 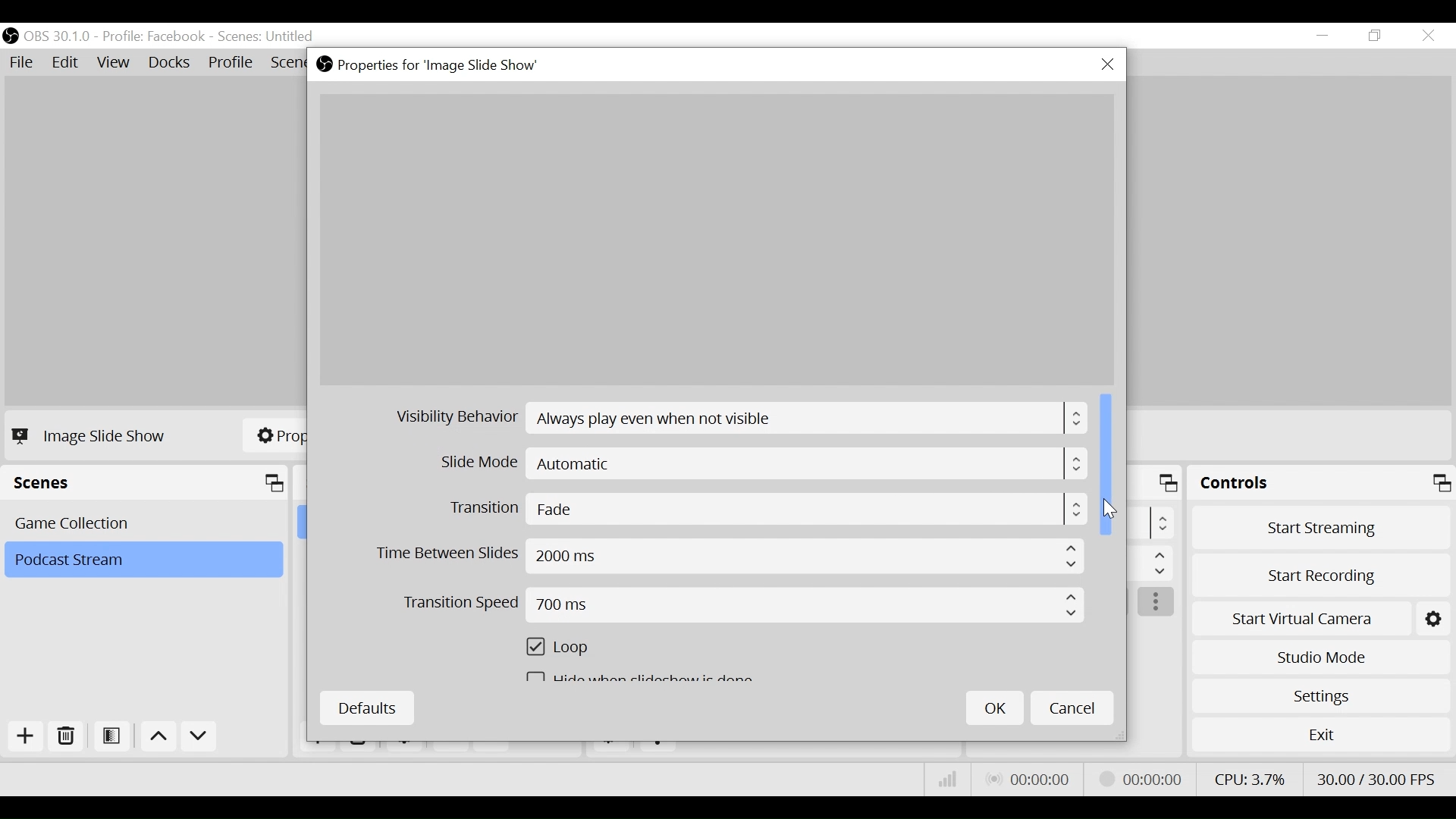 I want to click on Controls, so click(x=1321, y=485).